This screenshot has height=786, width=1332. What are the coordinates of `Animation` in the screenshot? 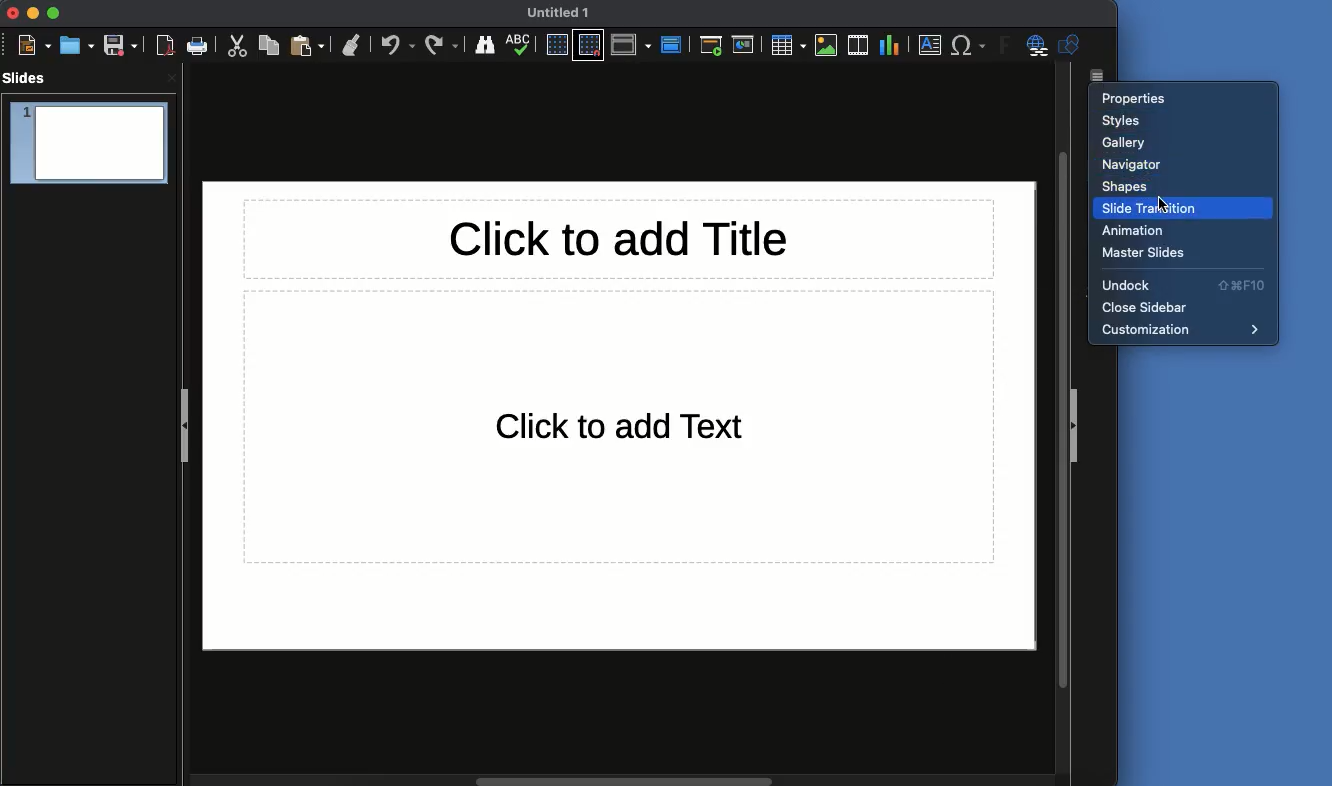 It's located at (1138, 231).